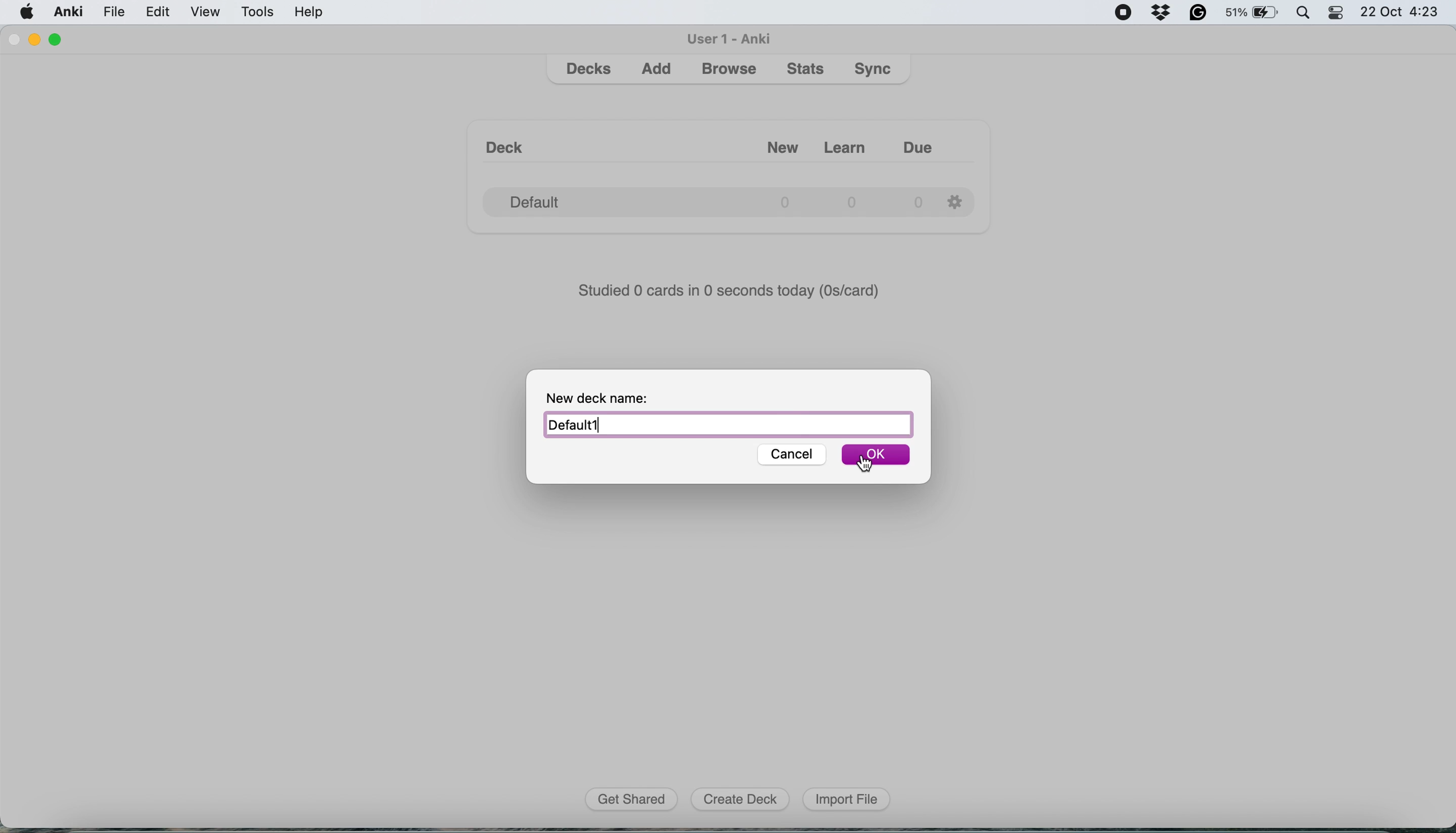 The image size is (1456, 833). Describe the element at coordinates (1404, 13) in the screenshot. I see `22 Oct 4:23` at that location.